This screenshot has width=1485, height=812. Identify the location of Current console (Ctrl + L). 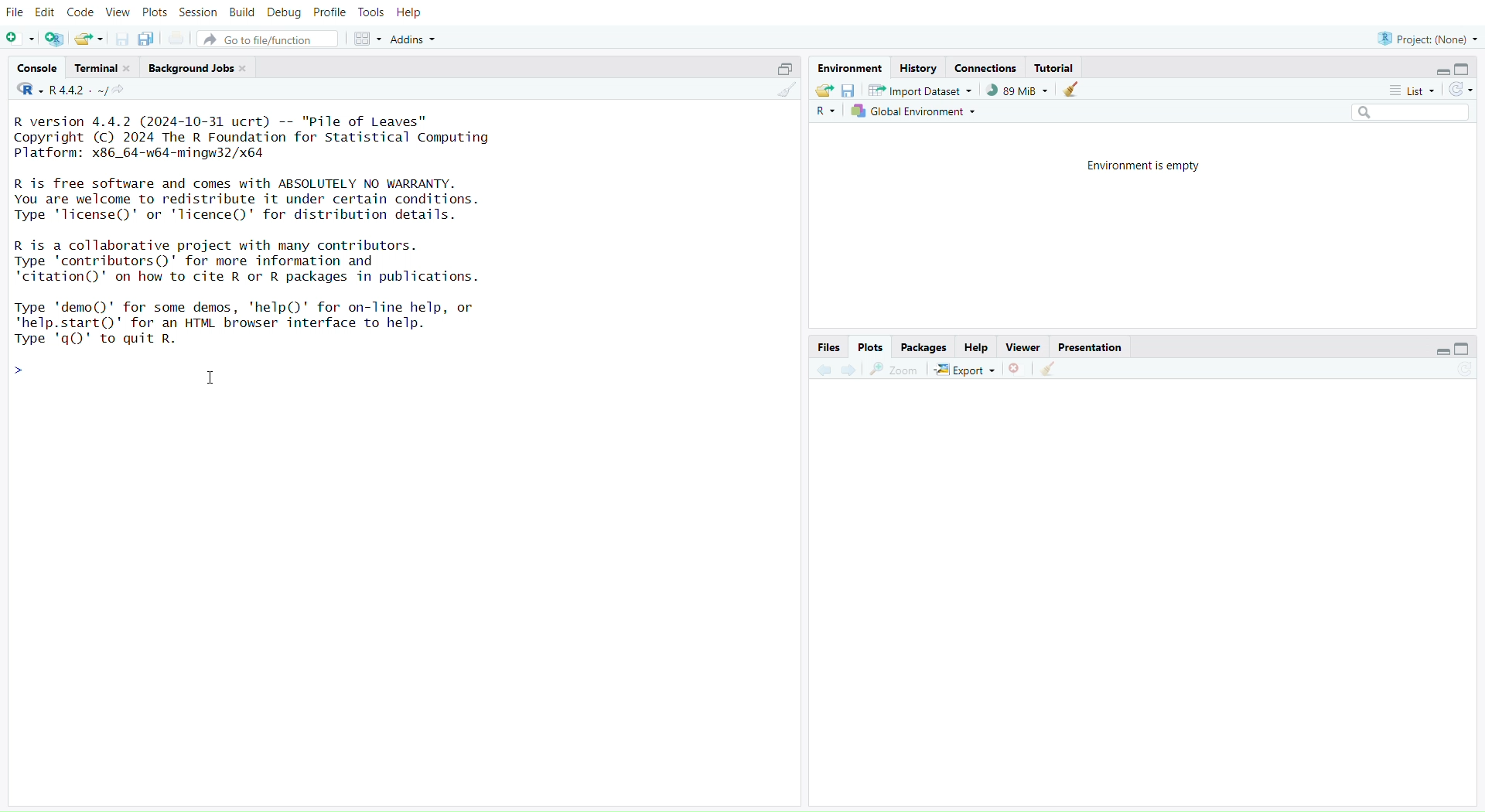
(1074, 92).